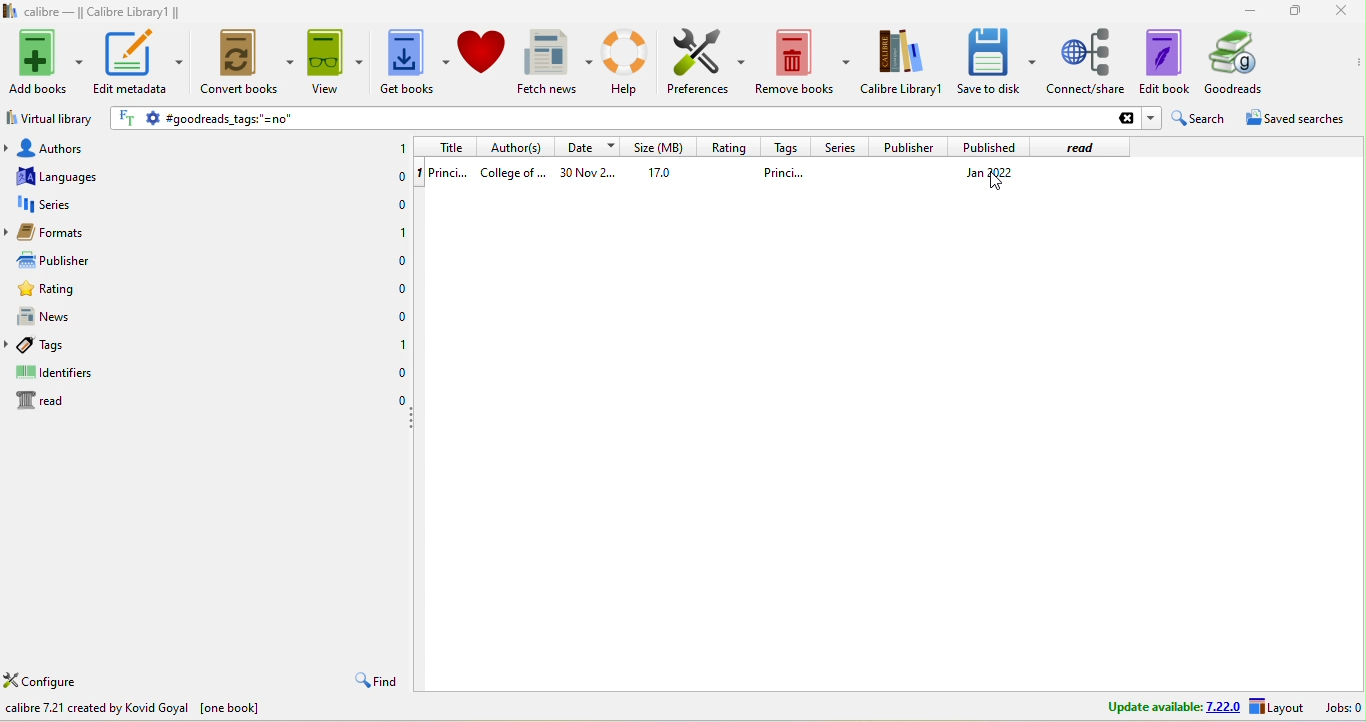 The image size is (1366, 722). What do you see at coordinates (417, 174) in the screenshot?
I see `1` at bounding box center [417, 174].